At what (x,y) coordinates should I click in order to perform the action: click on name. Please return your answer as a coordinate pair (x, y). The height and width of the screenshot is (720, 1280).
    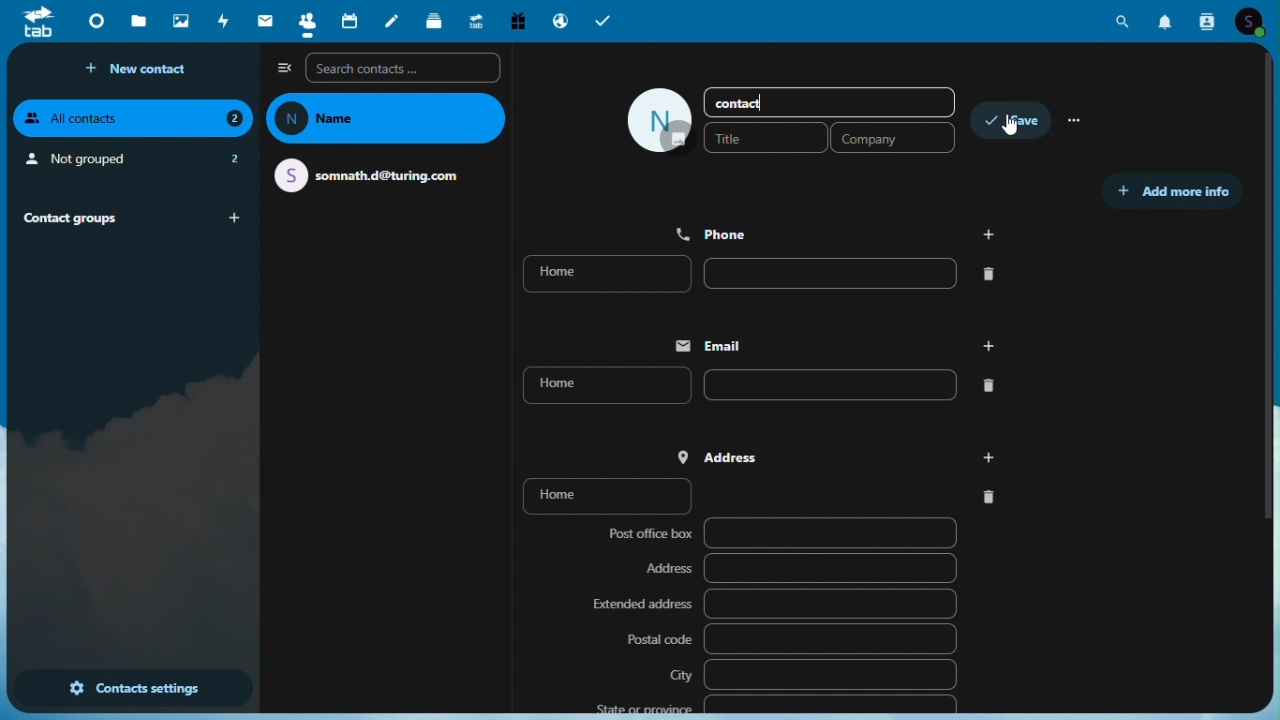
    Looking at the image, I should click on (388, 119).